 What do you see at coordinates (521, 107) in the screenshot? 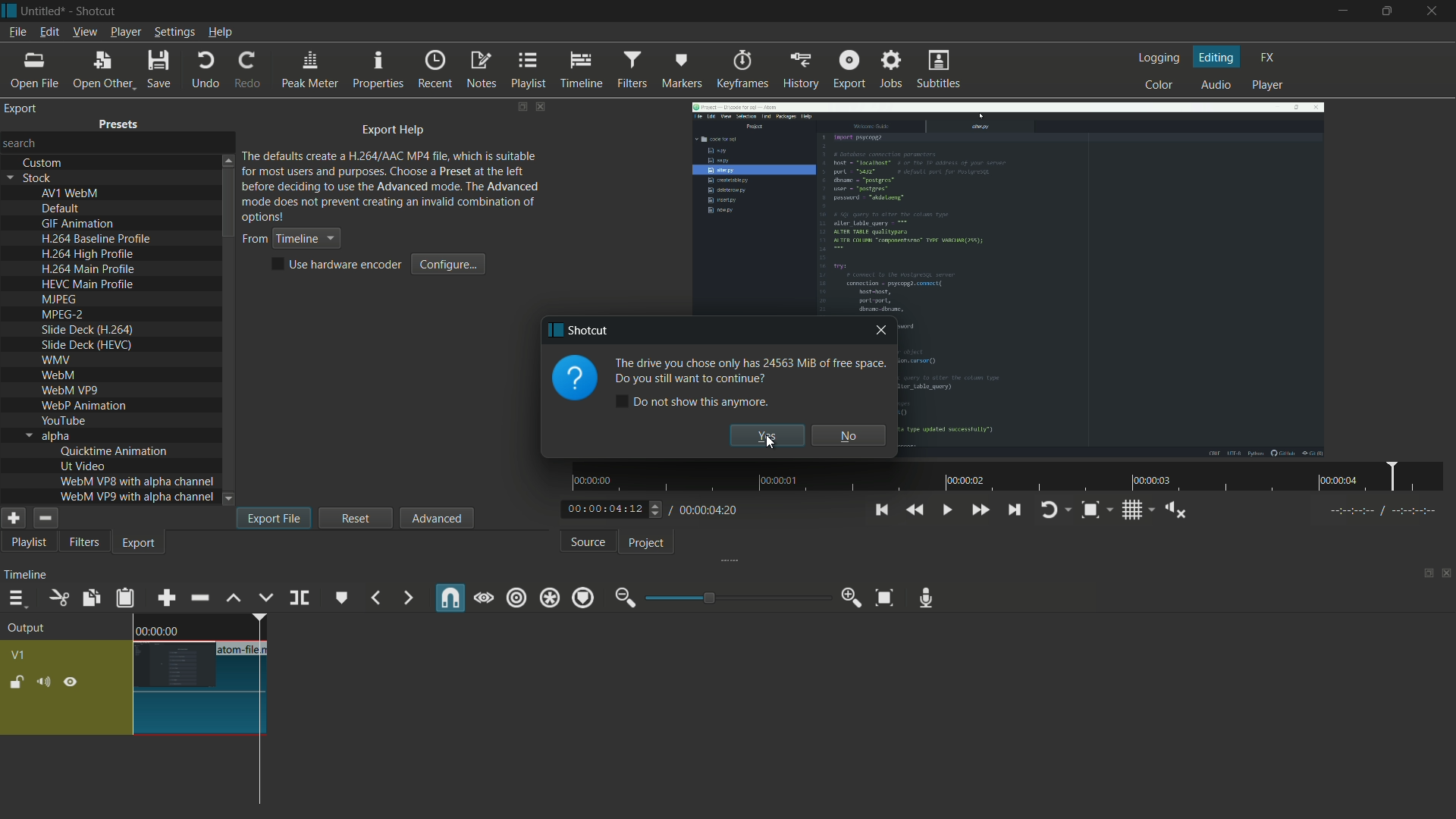
I see `change layout` at bounding box center [521, 107].